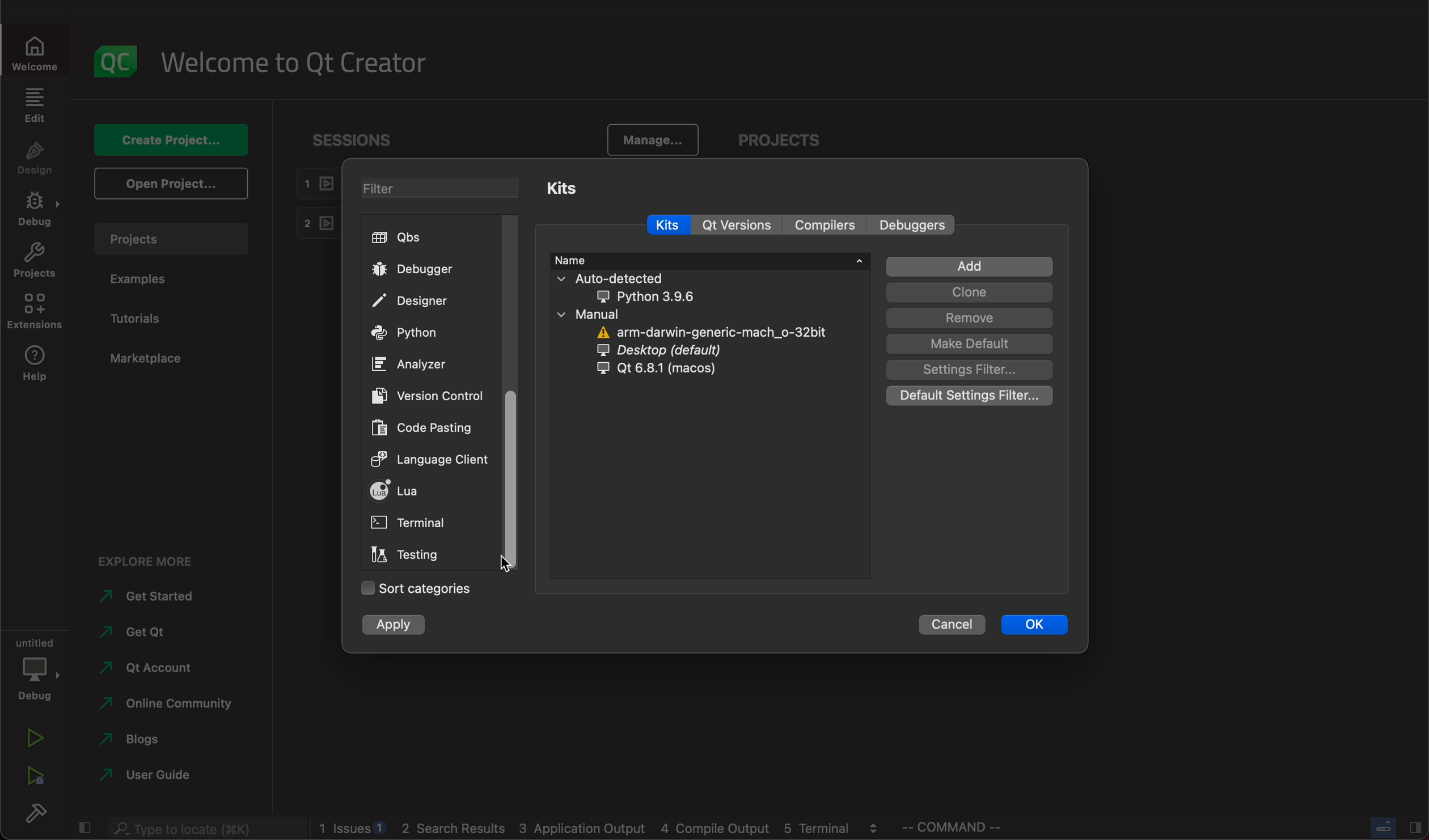 The width and height of the screenshot is (1429, 840). What do you see at coordinates (823, 225) in the screenshot?
I see `compilers` at bounding box center [823, 225].